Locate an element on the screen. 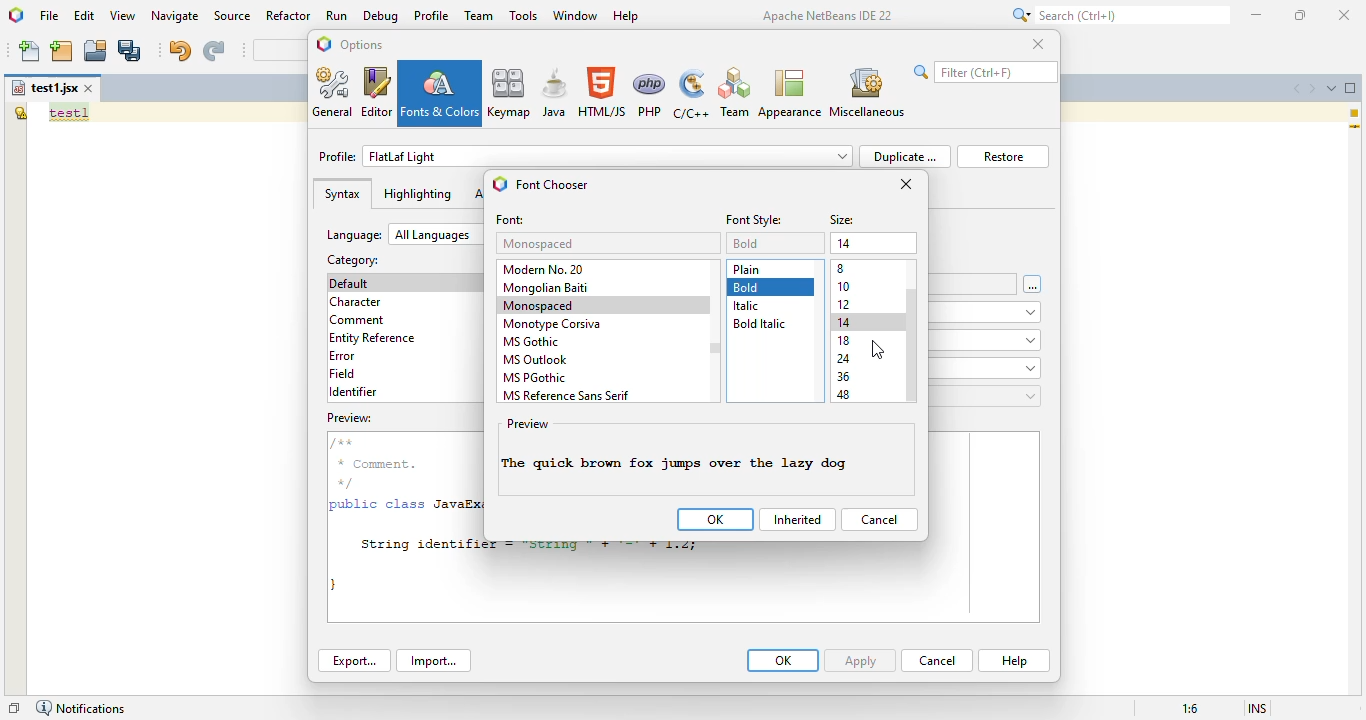 The image size is (1366, 720). help is located at coordinates (1014, 661).